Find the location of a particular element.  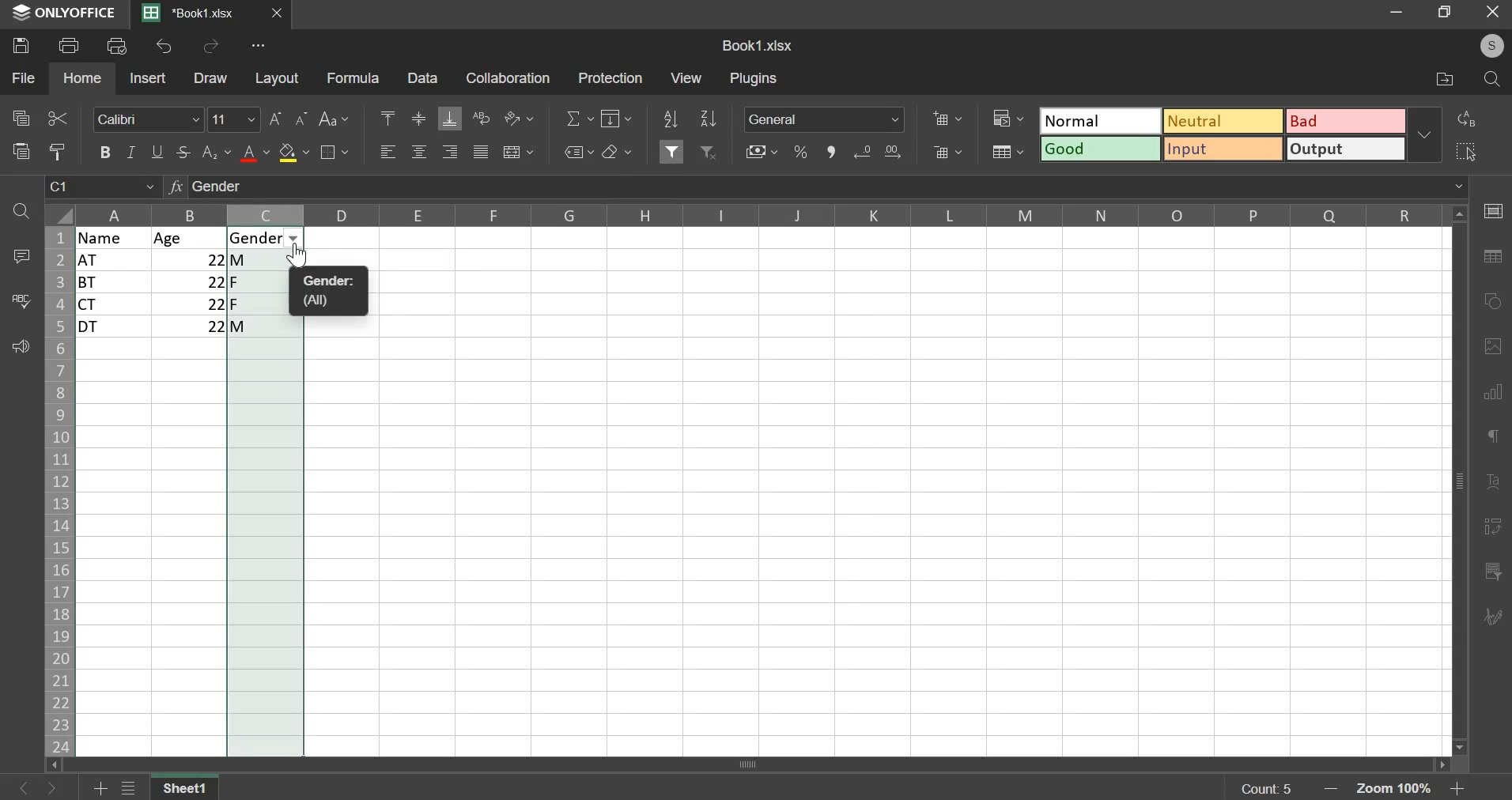

font is located at coordinates (149, 119).